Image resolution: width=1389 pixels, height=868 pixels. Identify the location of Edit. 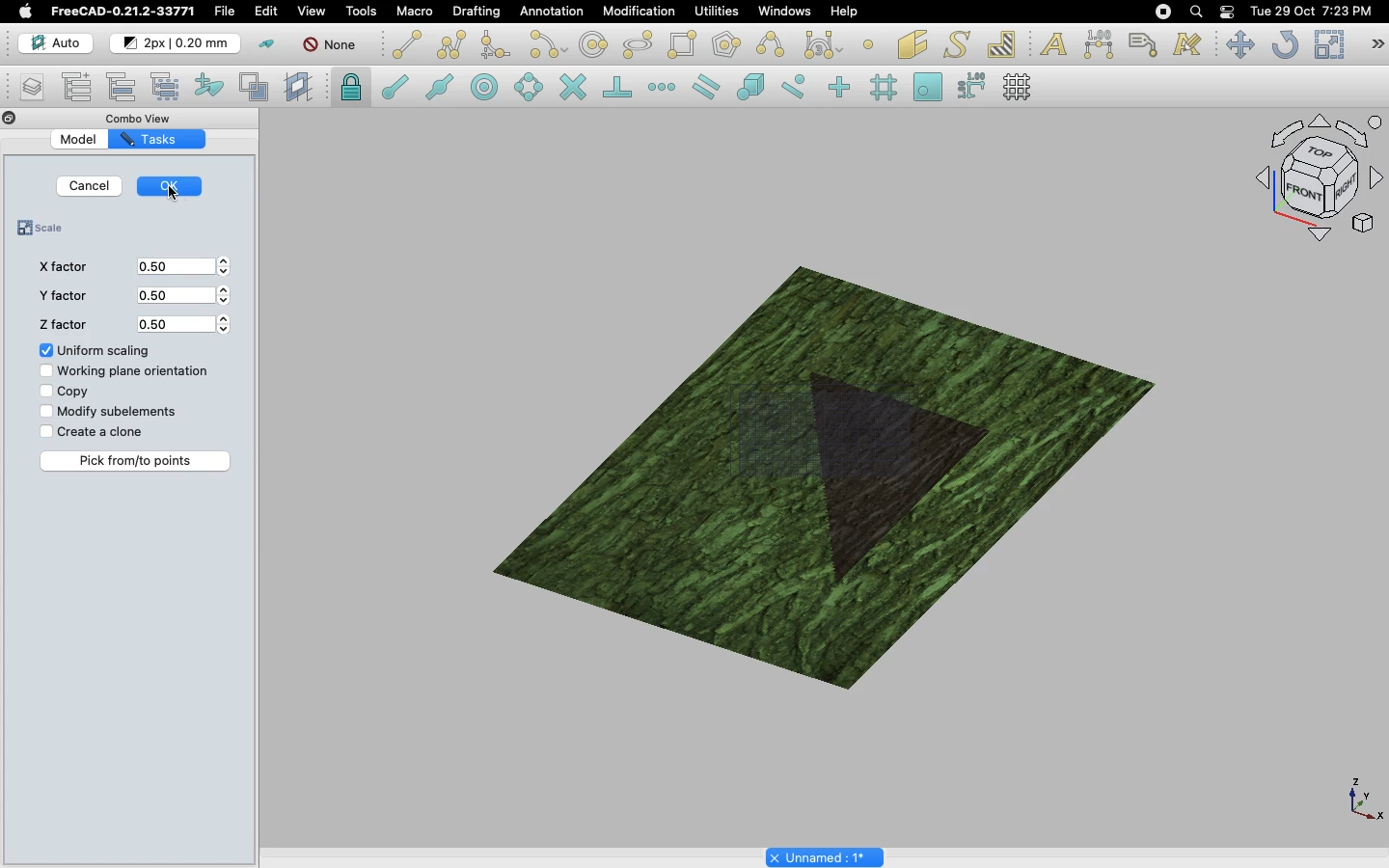
(267, 13).